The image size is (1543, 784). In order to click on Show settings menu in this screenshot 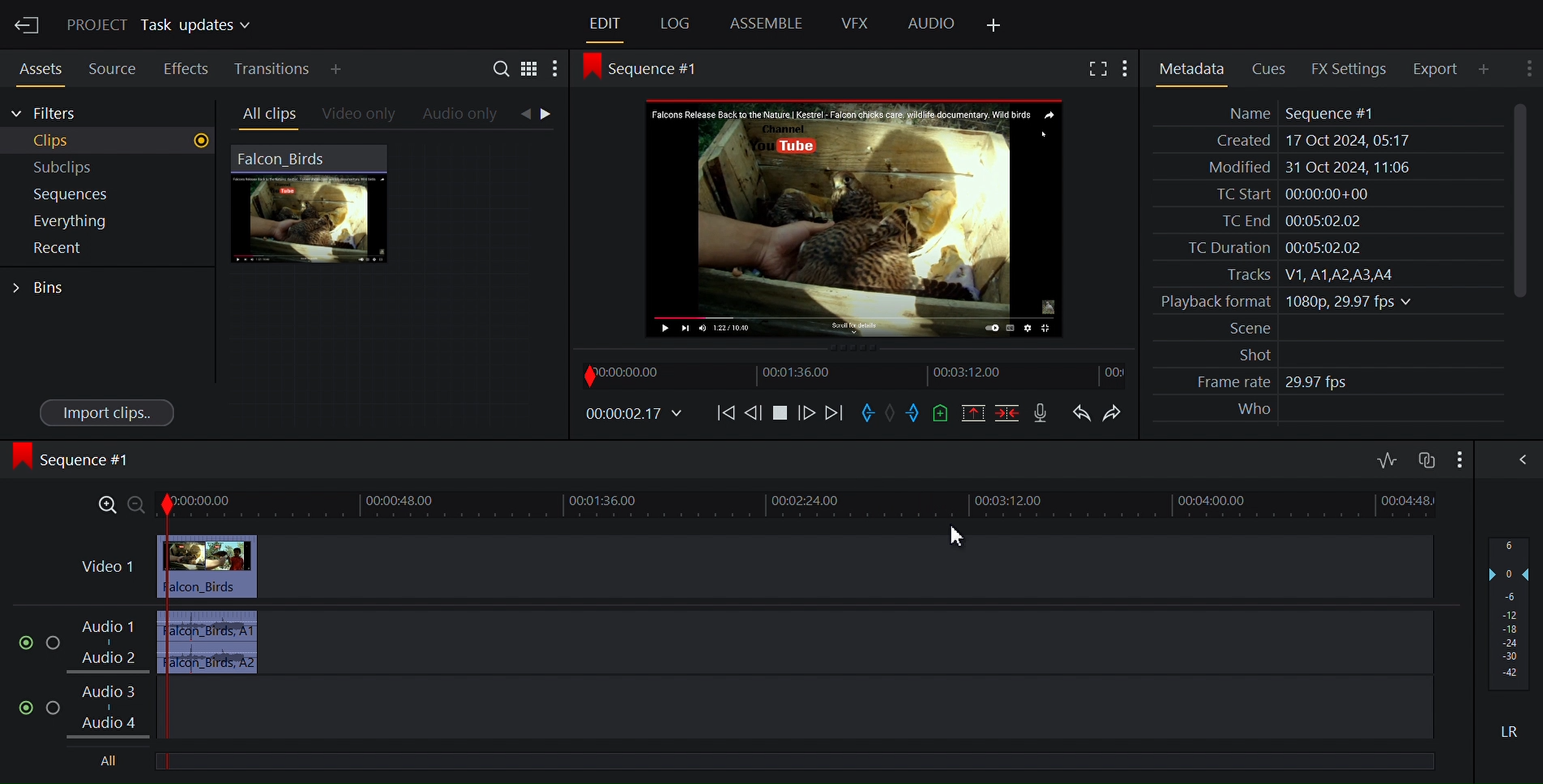, I will do `click(1126, 68)`.